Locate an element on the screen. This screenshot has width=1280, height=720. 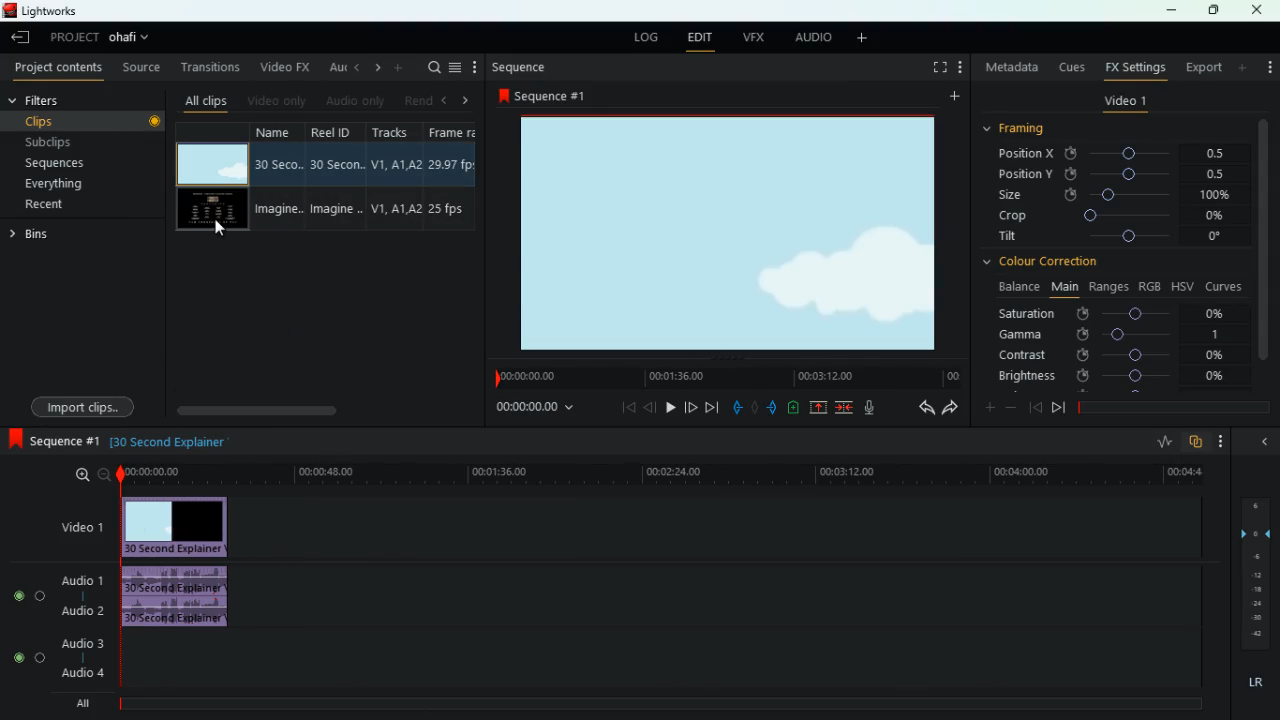
recent is located at coordinates (66, 204).